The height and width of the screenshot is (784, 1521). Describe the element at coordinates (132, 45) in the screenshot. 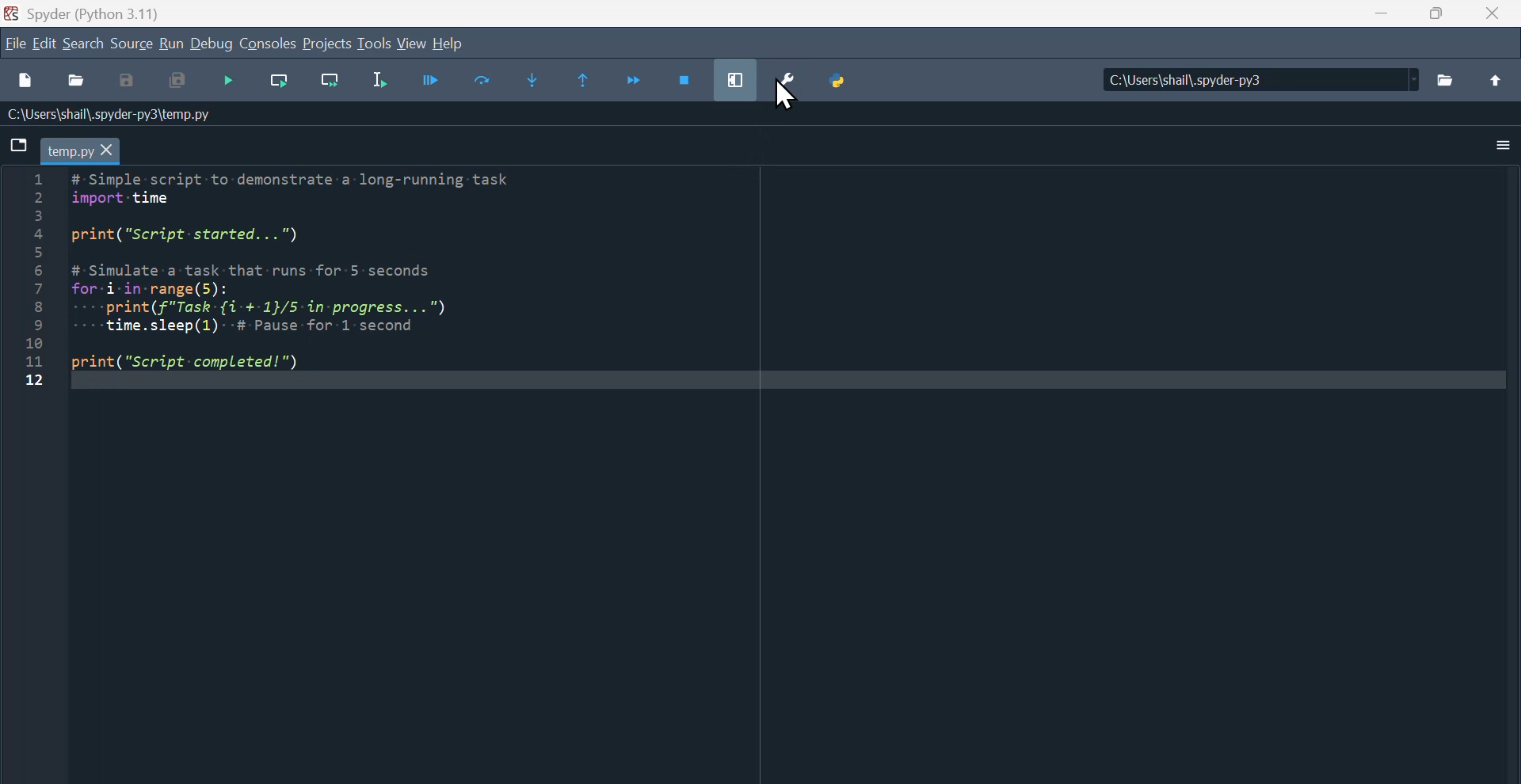

I see `Source` at that location.